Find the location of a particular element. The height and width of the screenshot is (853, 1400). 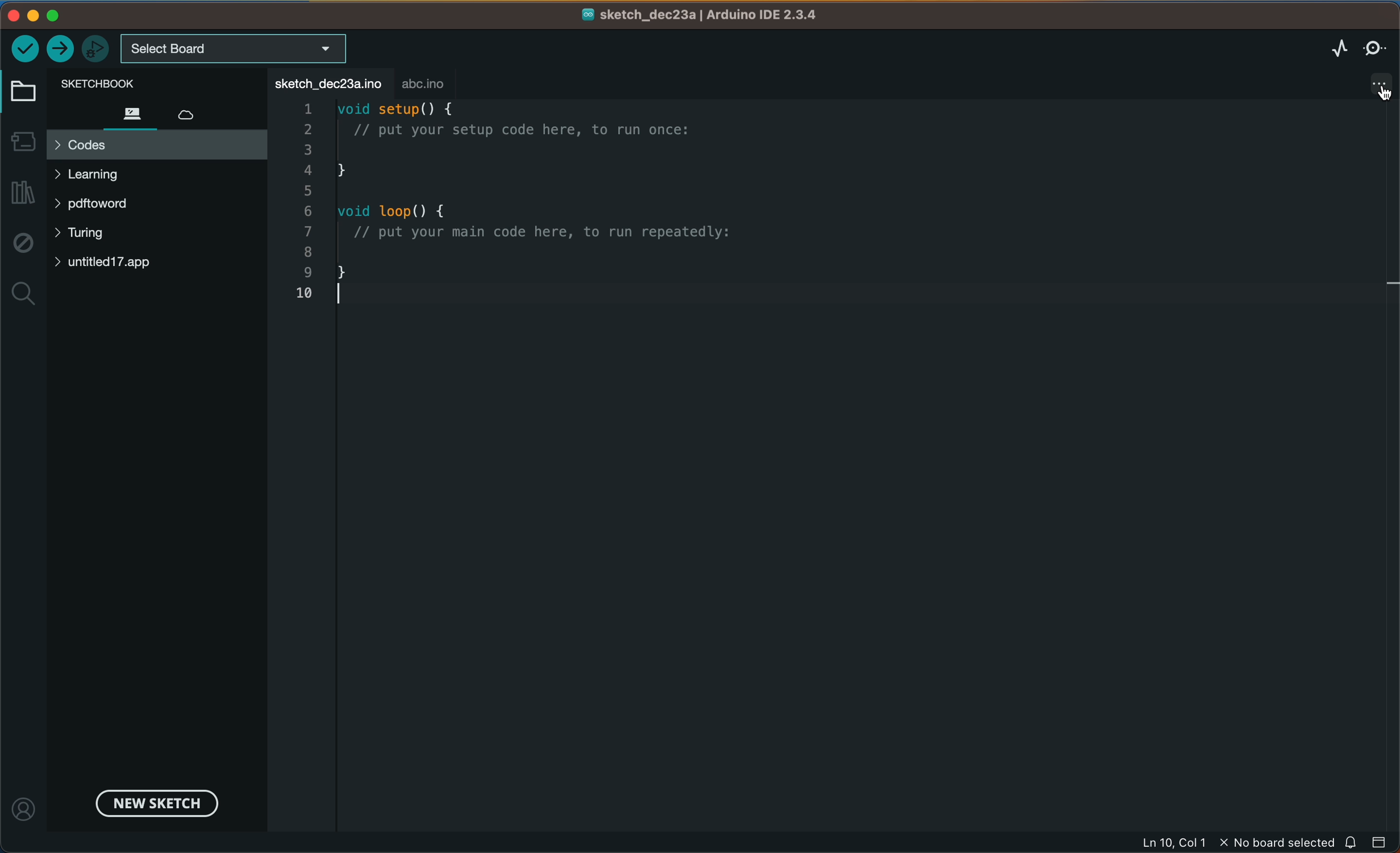

turing is located at coordinates (84, 237).